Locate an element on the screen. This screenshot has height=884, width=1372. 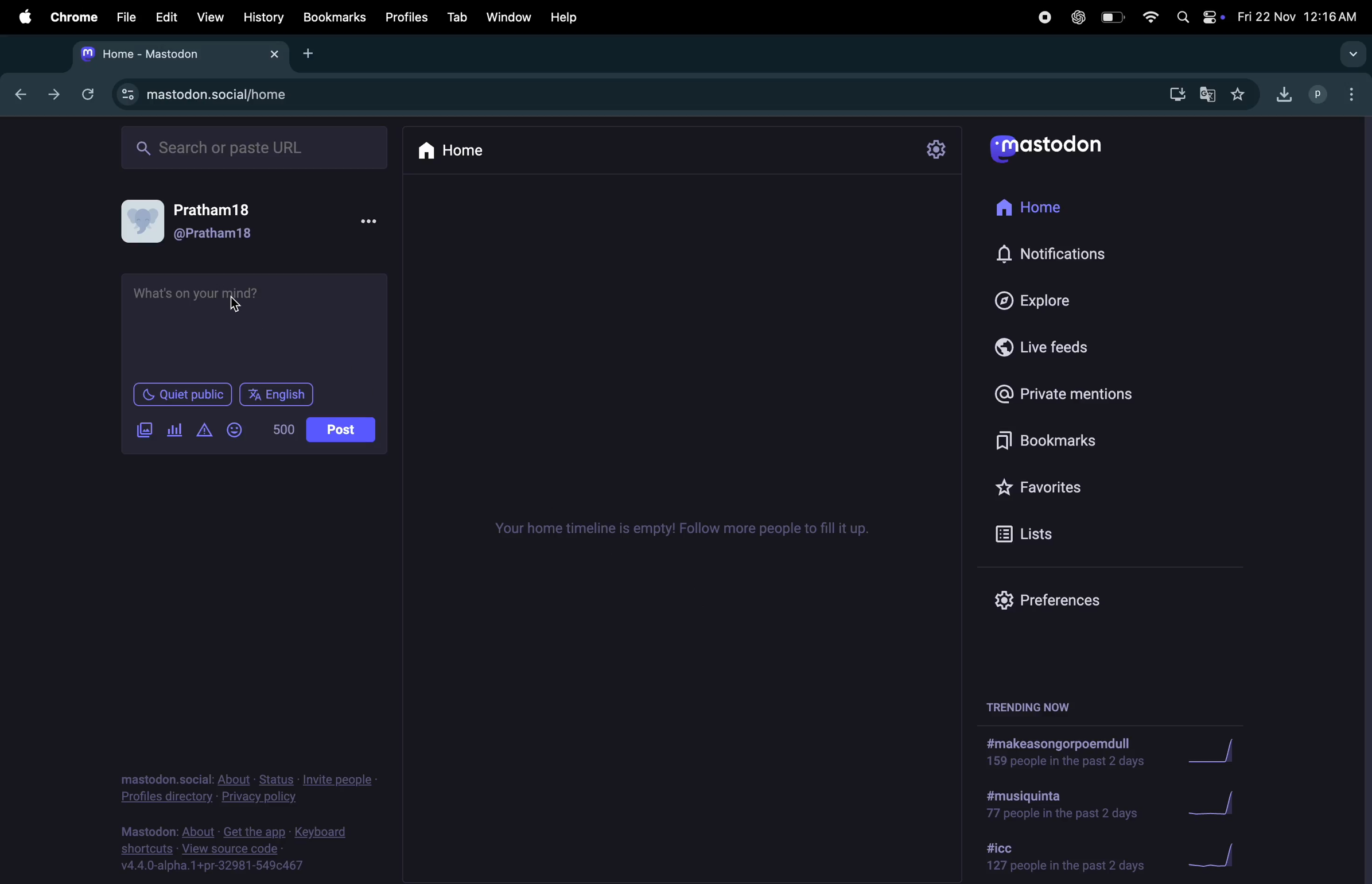
500 lines is located at coordinates (280, 429).